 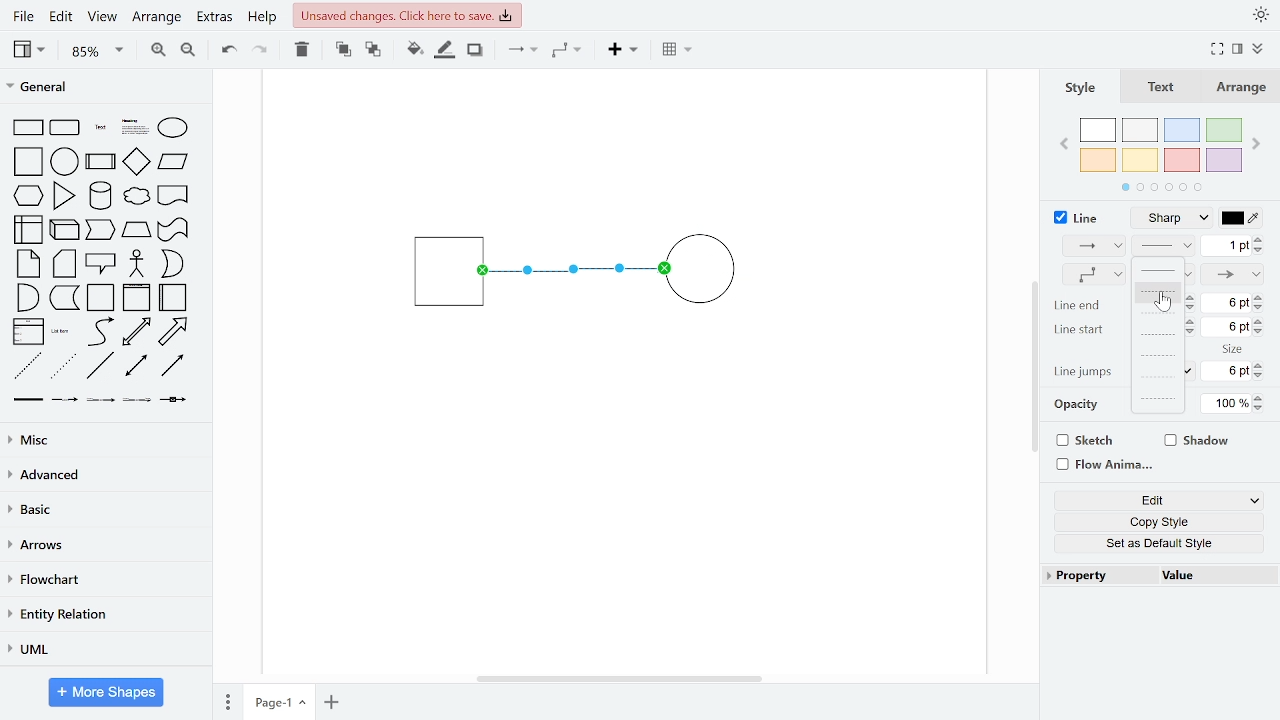 What do you see at coordinates (262, 18) in the screenshot?
I see `help` at bounding box center [262, 18].